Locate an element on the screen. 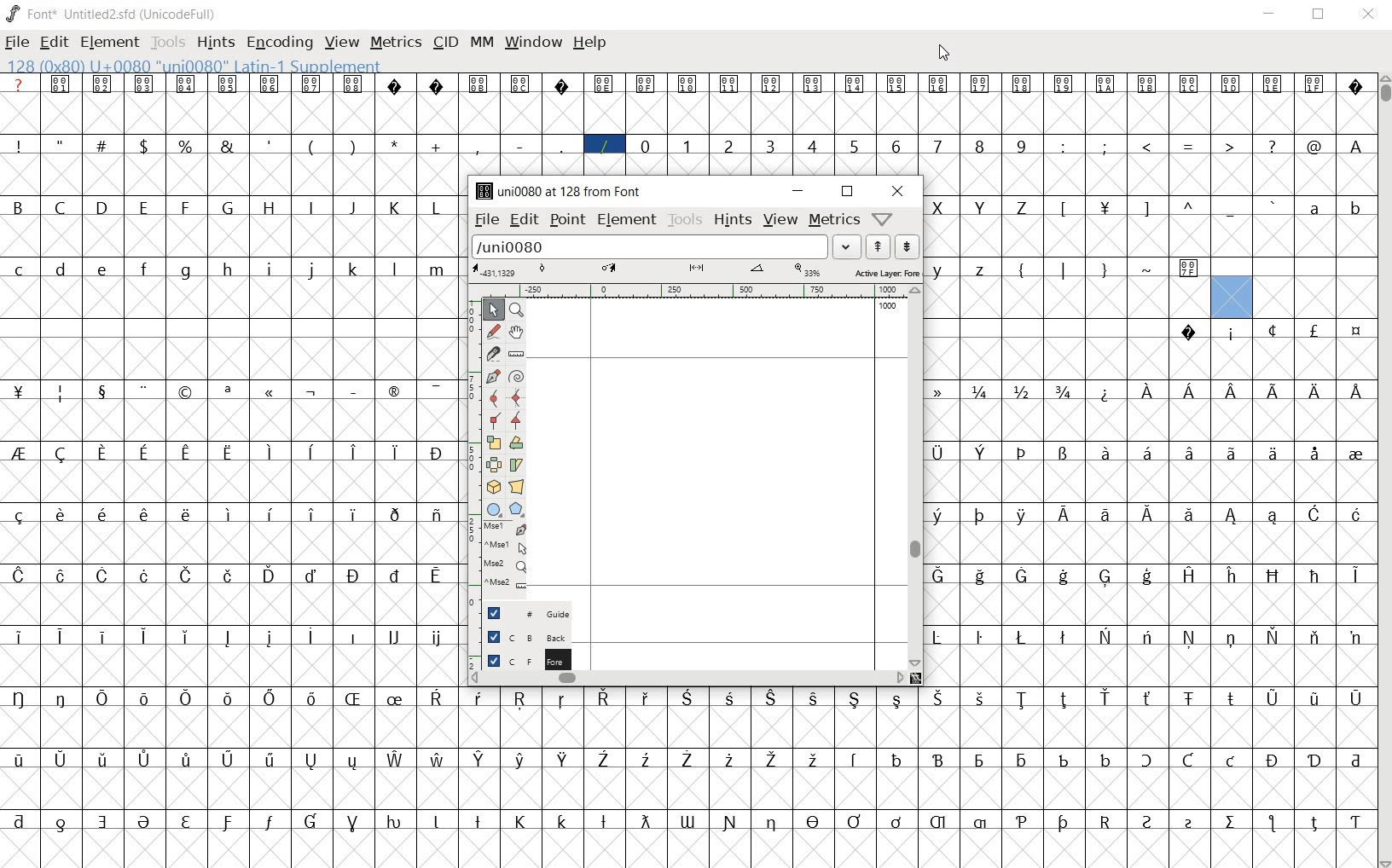 This screenshot has width=1392, height=868. glyph is located at coordinates (478, 821).